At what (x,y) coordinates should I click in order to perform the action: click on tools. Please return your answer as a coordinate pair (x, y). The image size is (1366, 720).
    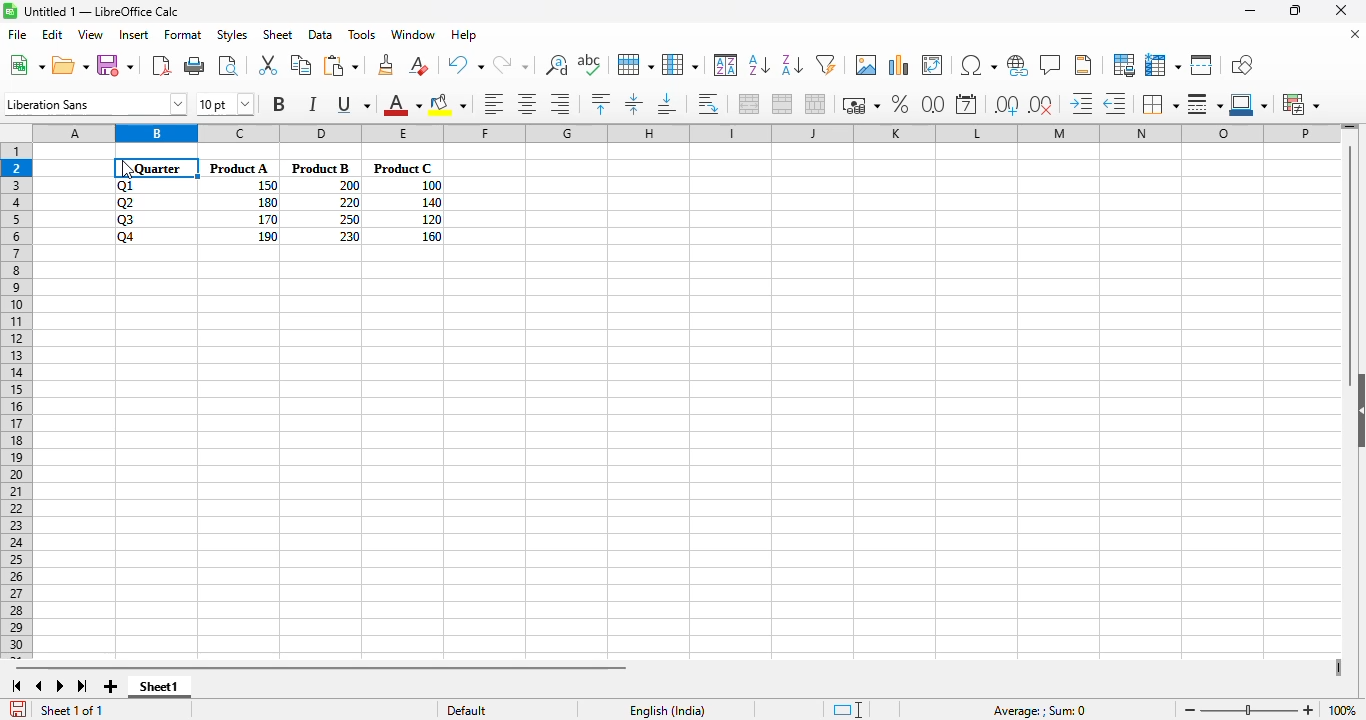
    Looking at the image, I should click on (361, 34).